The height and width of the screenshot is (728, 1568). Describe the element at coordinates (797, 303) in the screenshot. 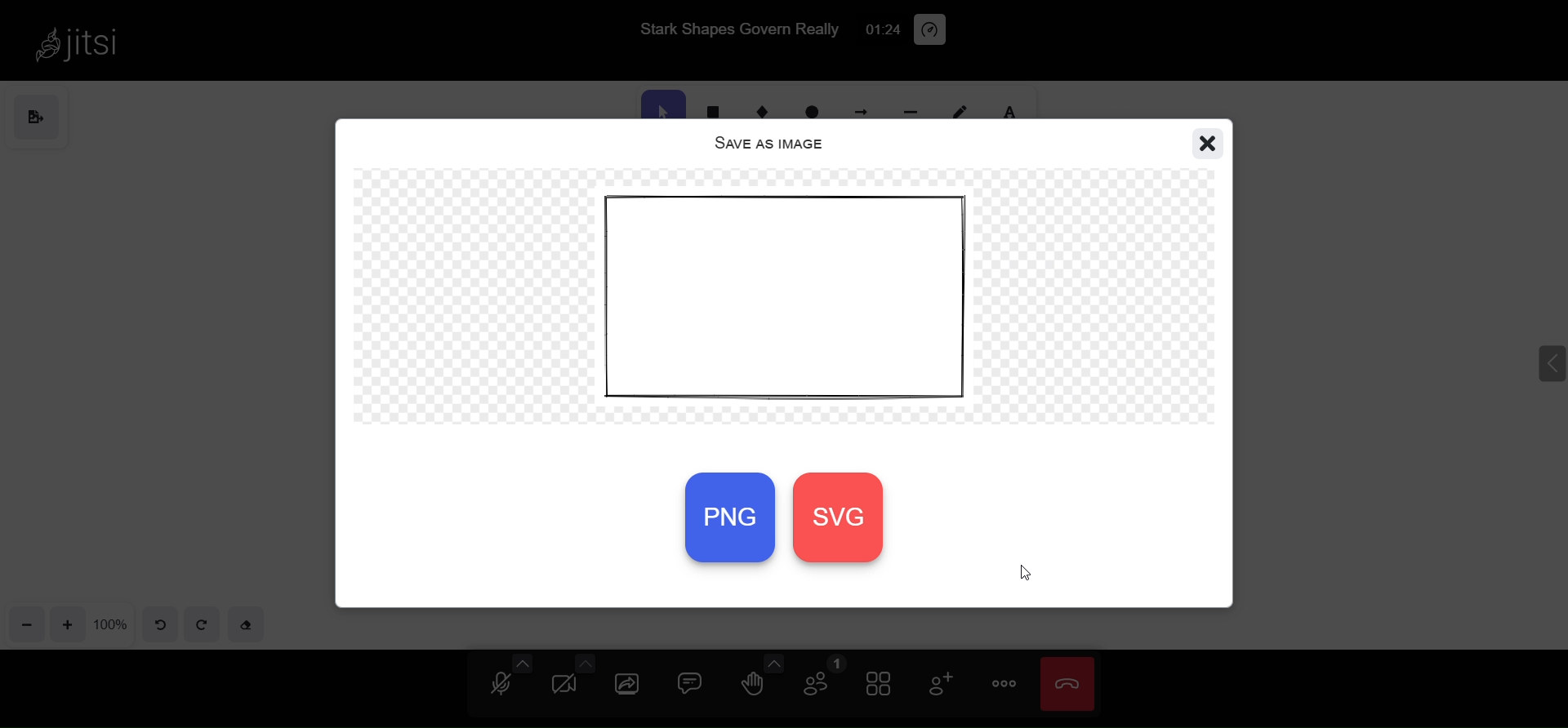

I see `object preview` at that location.